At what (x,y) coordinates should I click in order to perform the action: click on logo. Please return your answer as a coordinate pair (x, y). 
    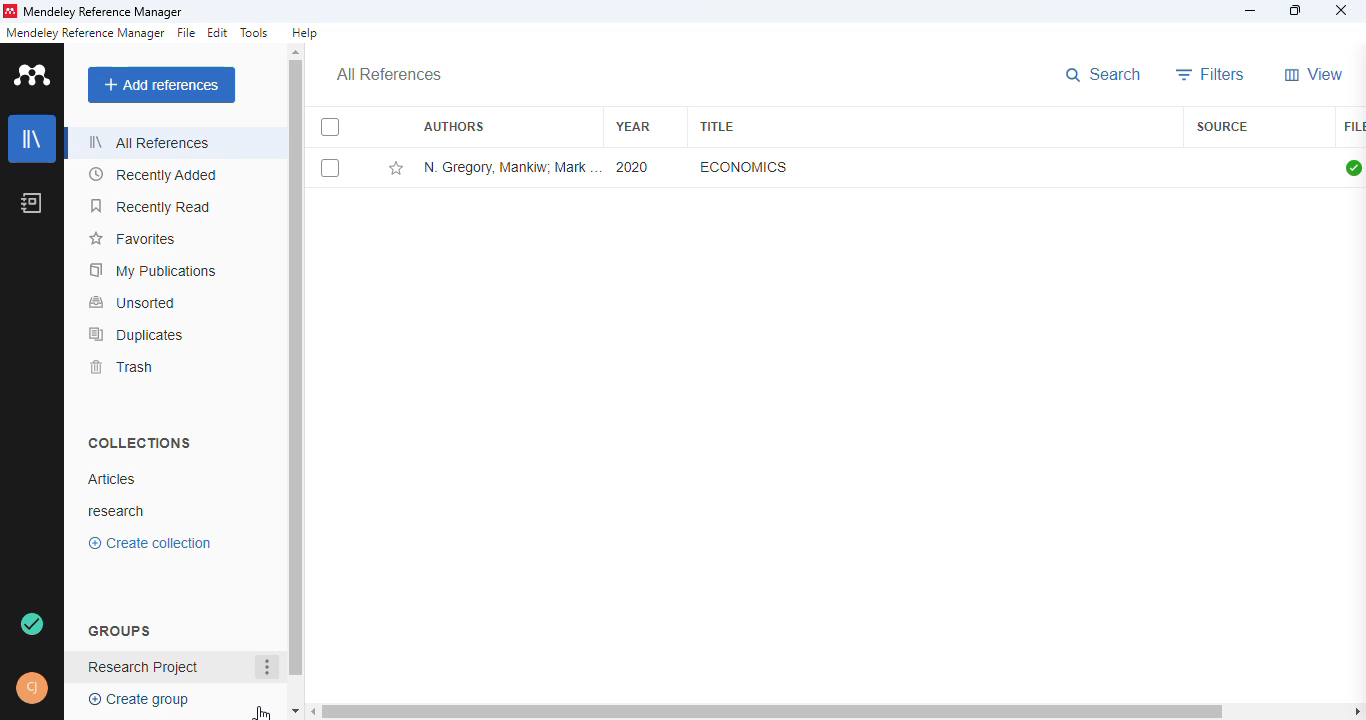
    Looking at the image, I should click on (10, 11).